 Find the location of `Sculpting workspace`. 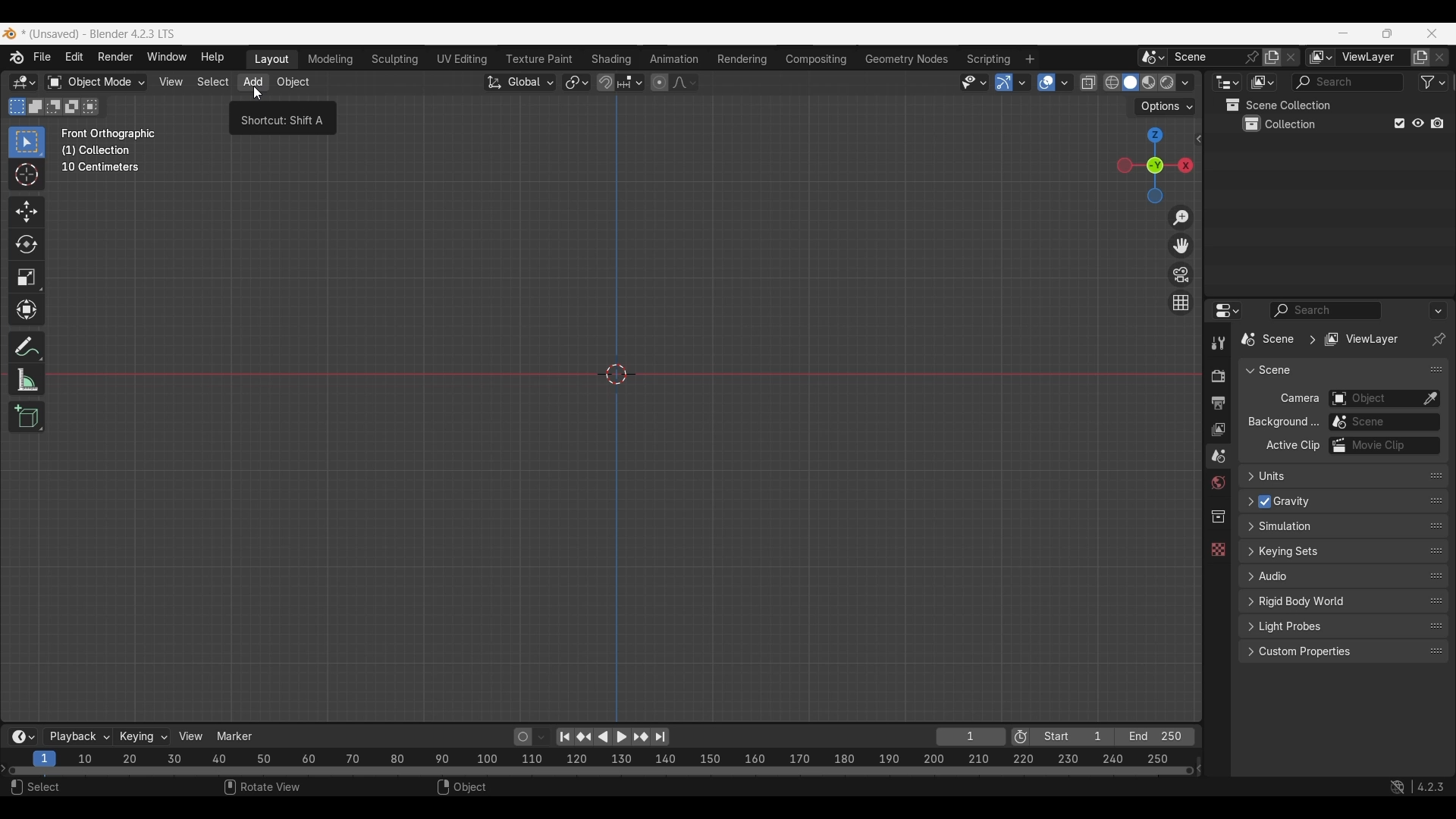

Sculpting workspace is located at coordinates (397, 59).